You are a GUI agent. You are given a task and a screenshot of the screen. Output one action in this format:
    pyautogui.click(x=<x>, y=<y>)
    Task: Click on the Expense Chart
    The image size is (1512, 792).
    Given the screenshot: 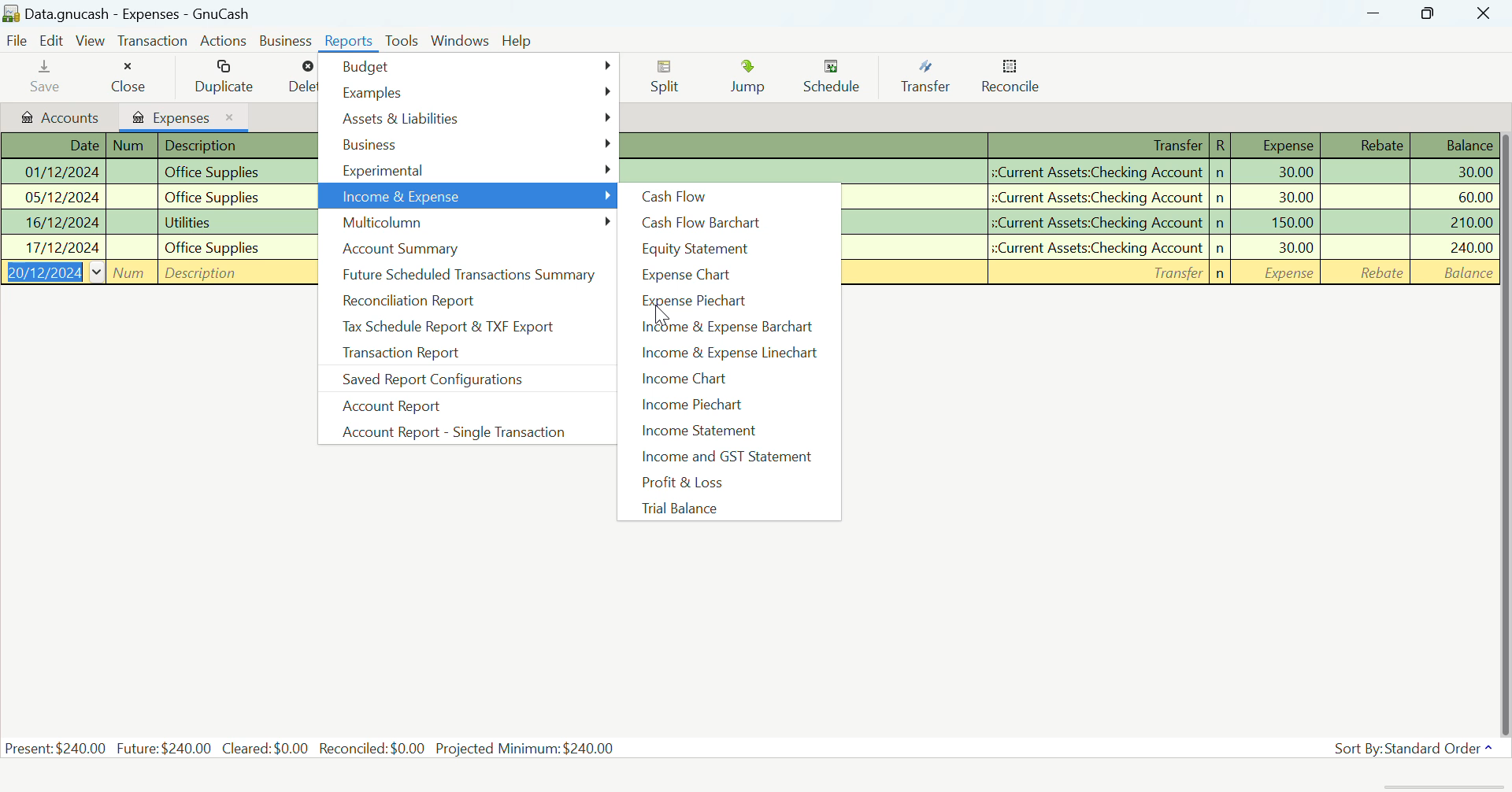 What is the action you would take?
    pyautogui.click(x=728, y=279)
    